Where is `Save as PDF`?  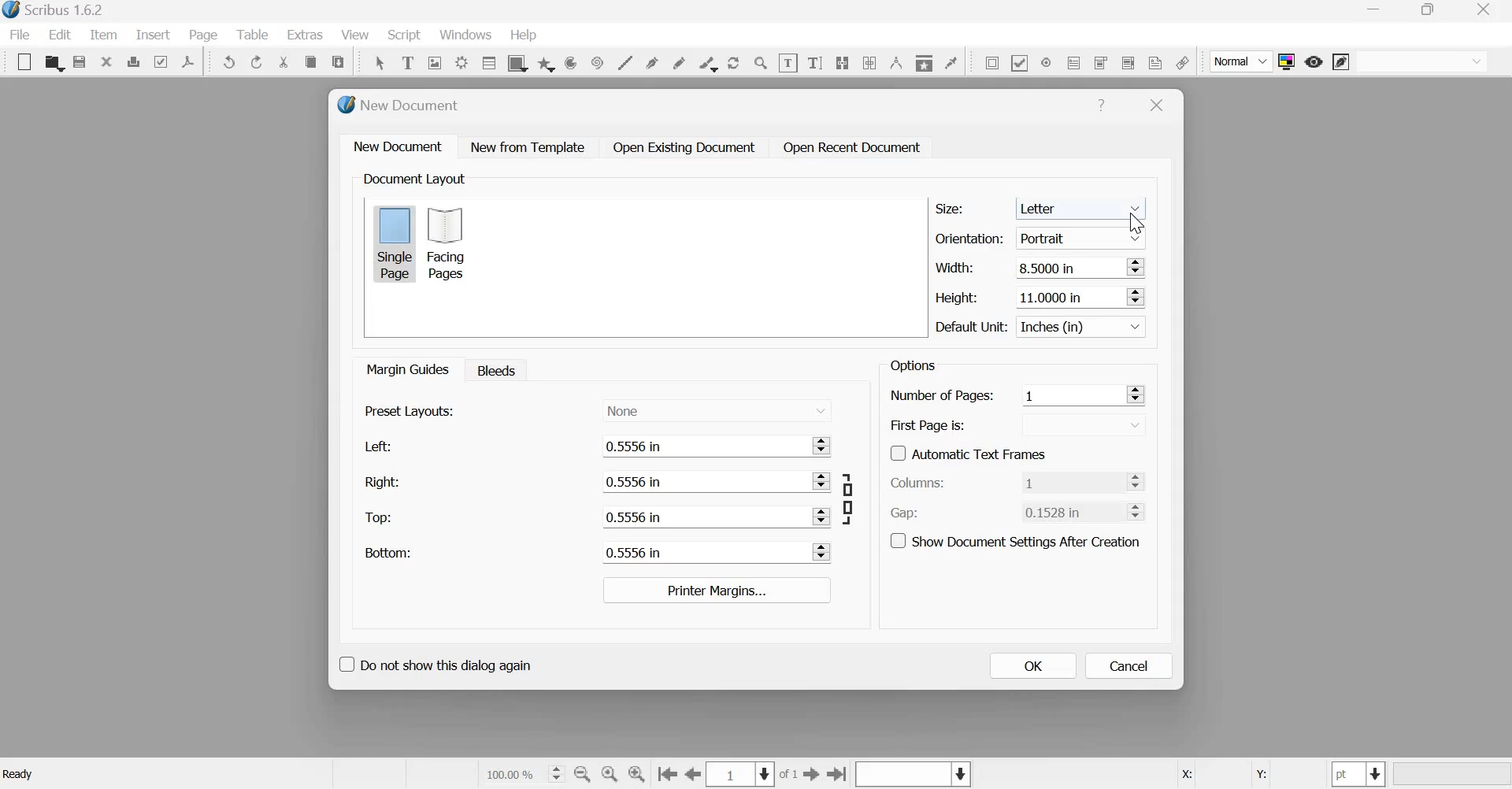 Save as PDF is located at coordinates (189, 61).